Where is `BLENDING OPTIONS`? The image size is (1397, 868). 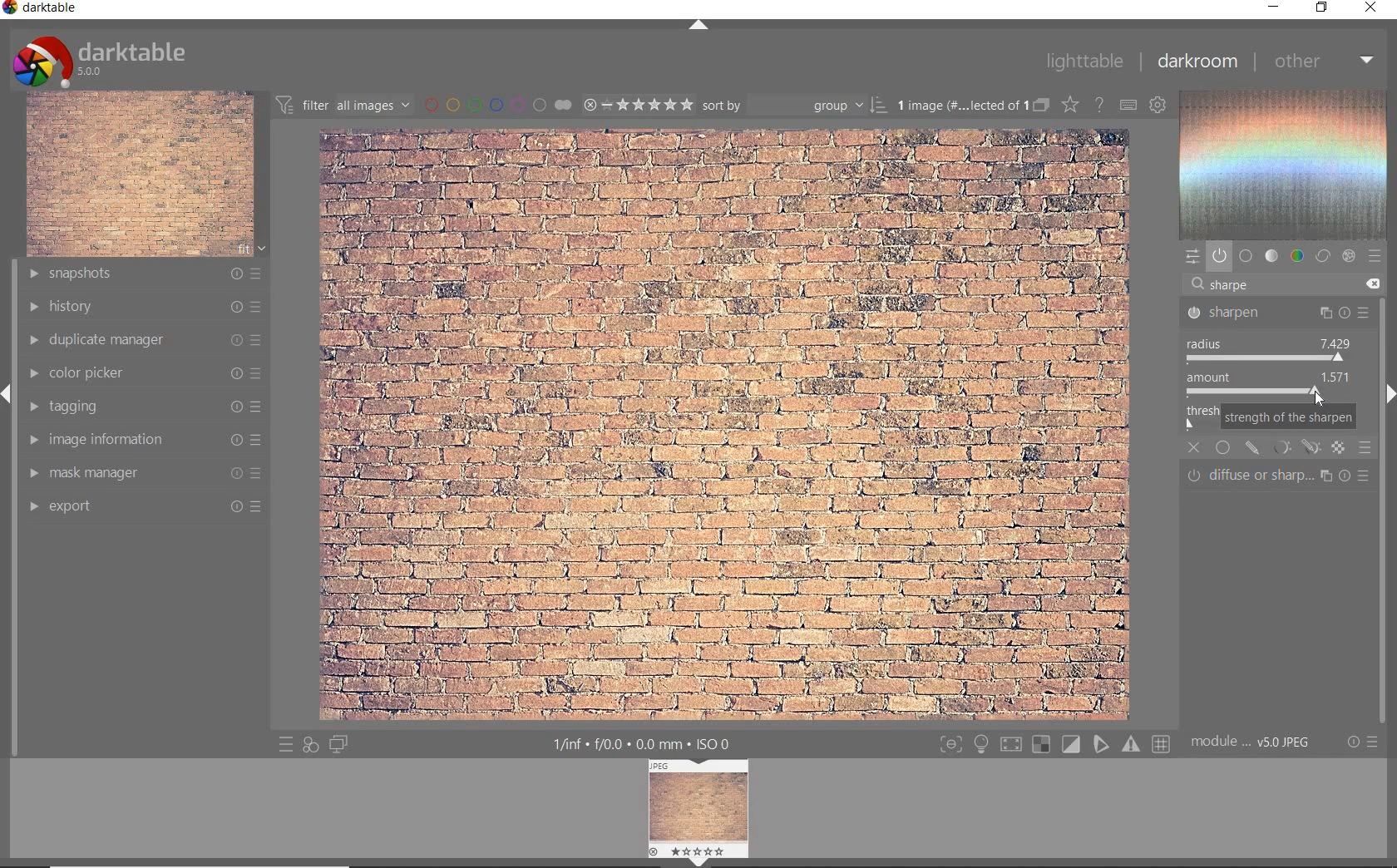
BLENDING OPTIONS is located at coordinates (1365, 449).